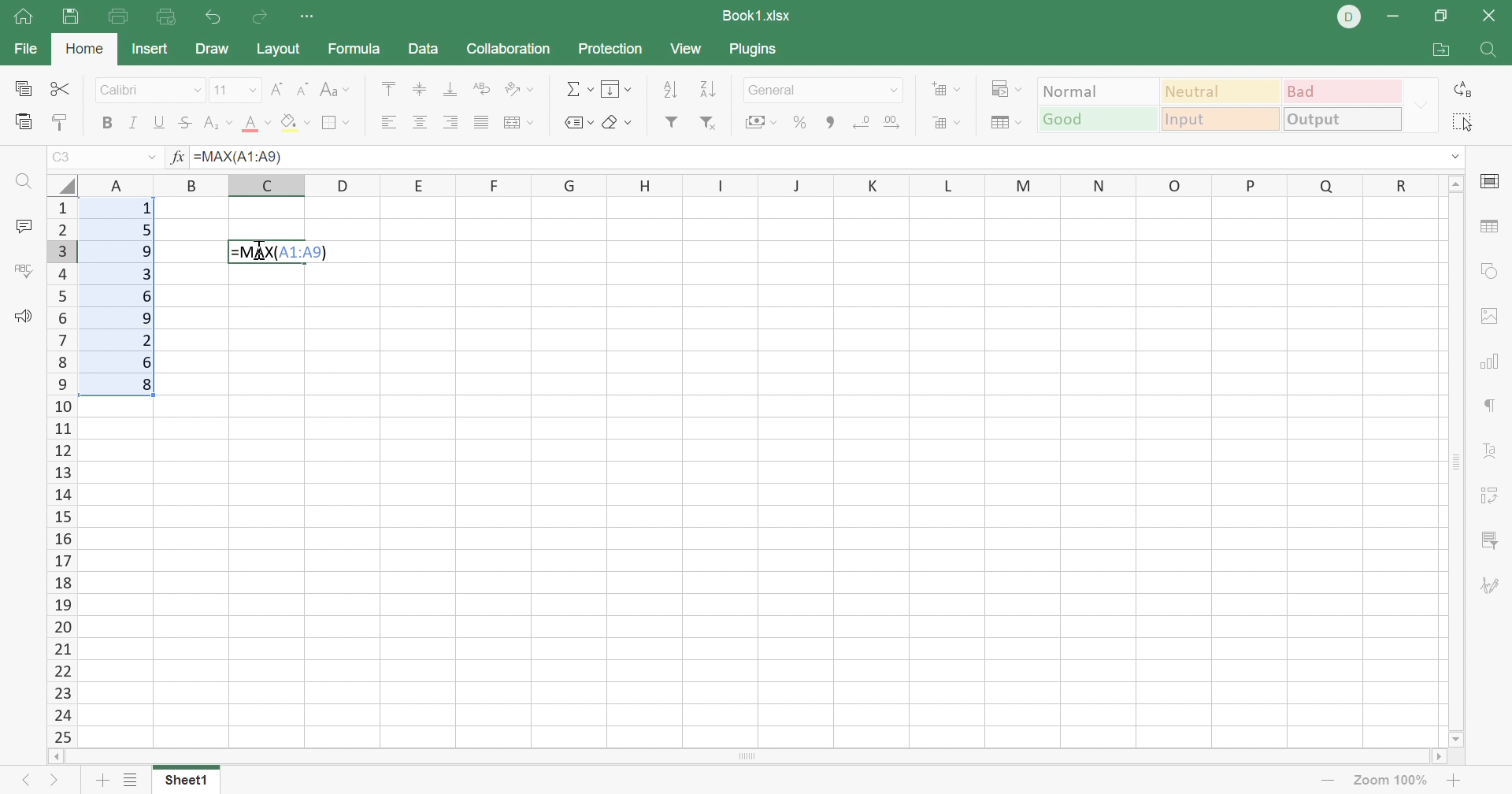  What do you see at coordinates (150, 157) in the screenshot?
I see `Drop Down` at bounding box center [150, 157].